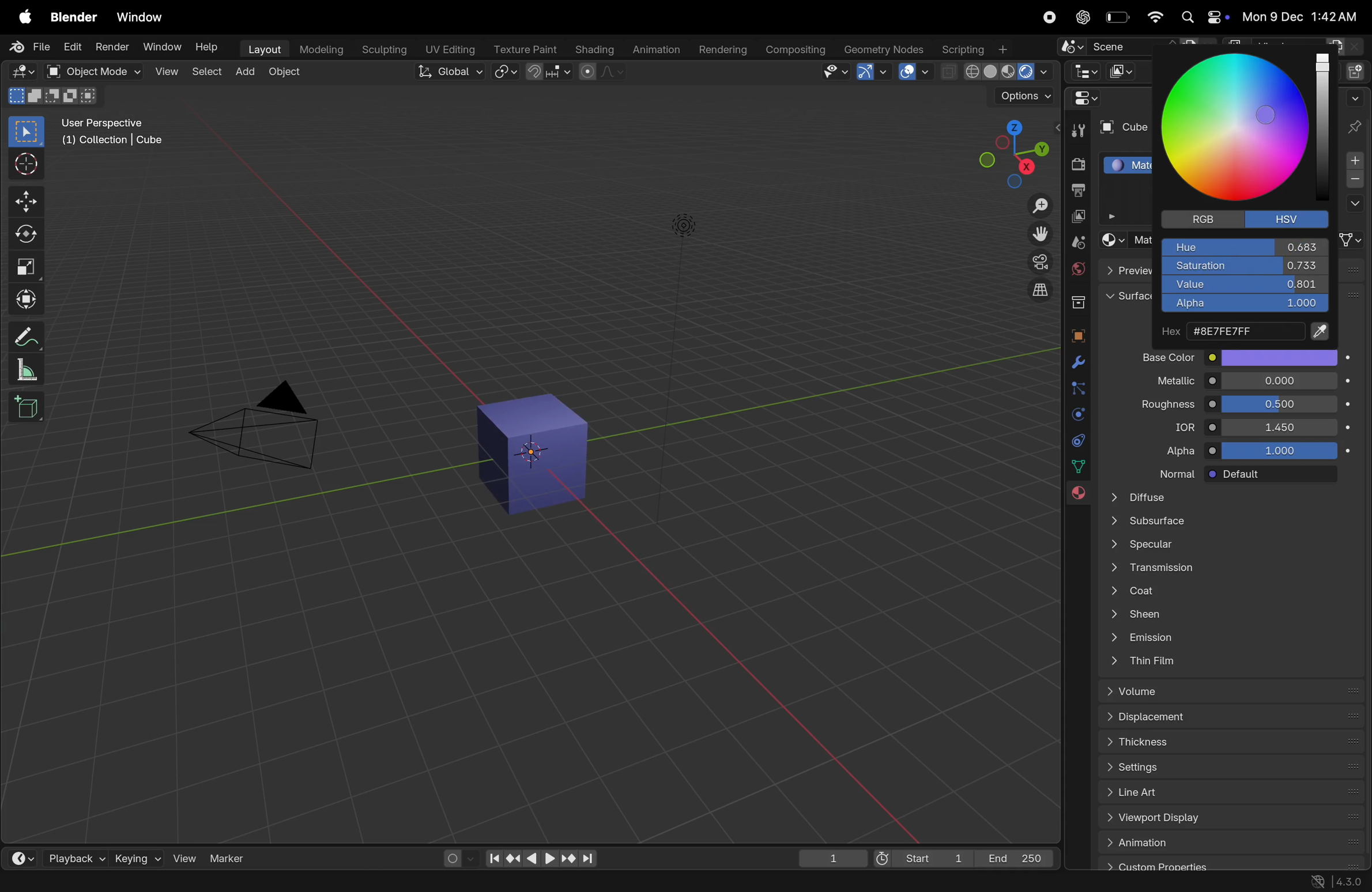 Image resolution: width=1372 pixels, height=892 pixels. Describe the element at coordinates (1203, 17) in the screenshot. I see `apple widgets` at that location.